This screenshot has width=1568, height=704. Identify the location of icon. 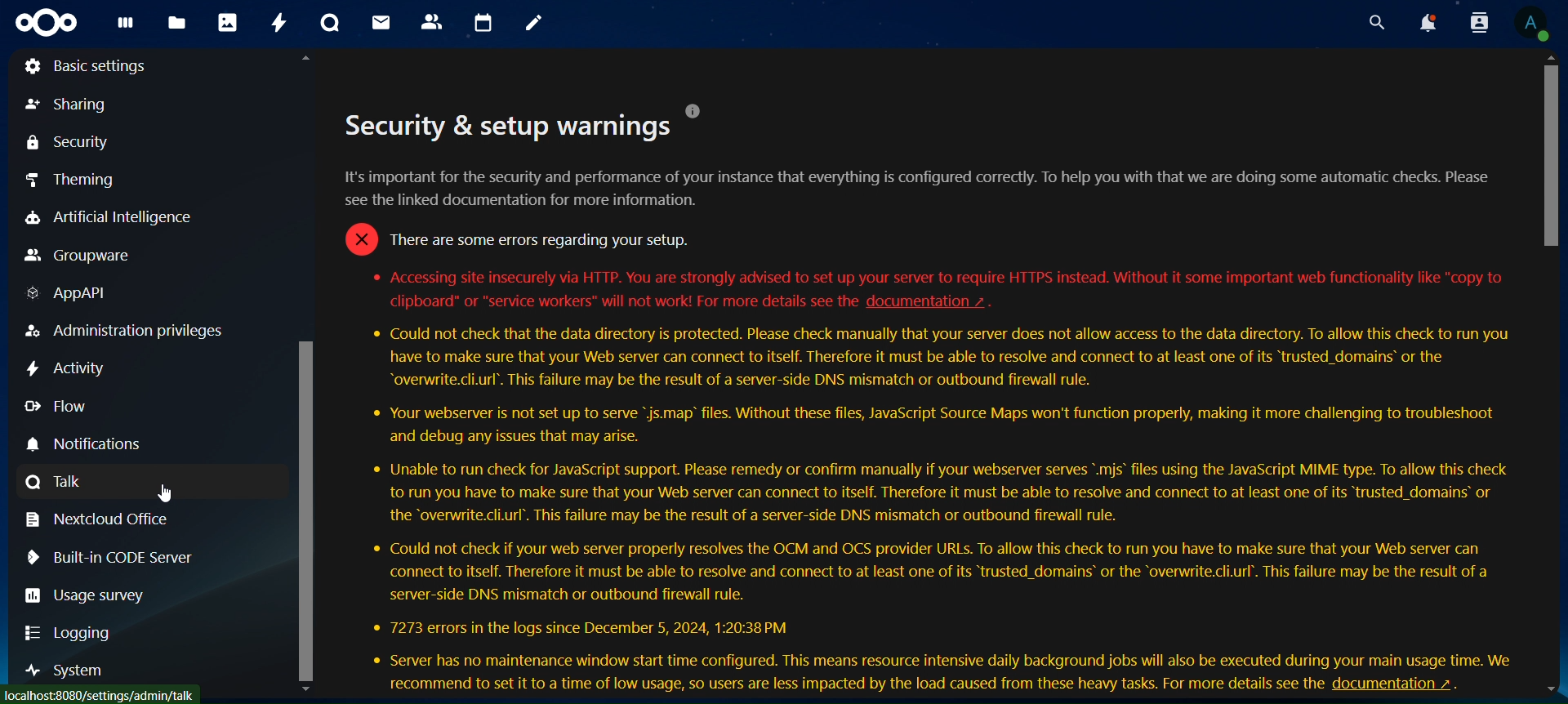
(45, 23).